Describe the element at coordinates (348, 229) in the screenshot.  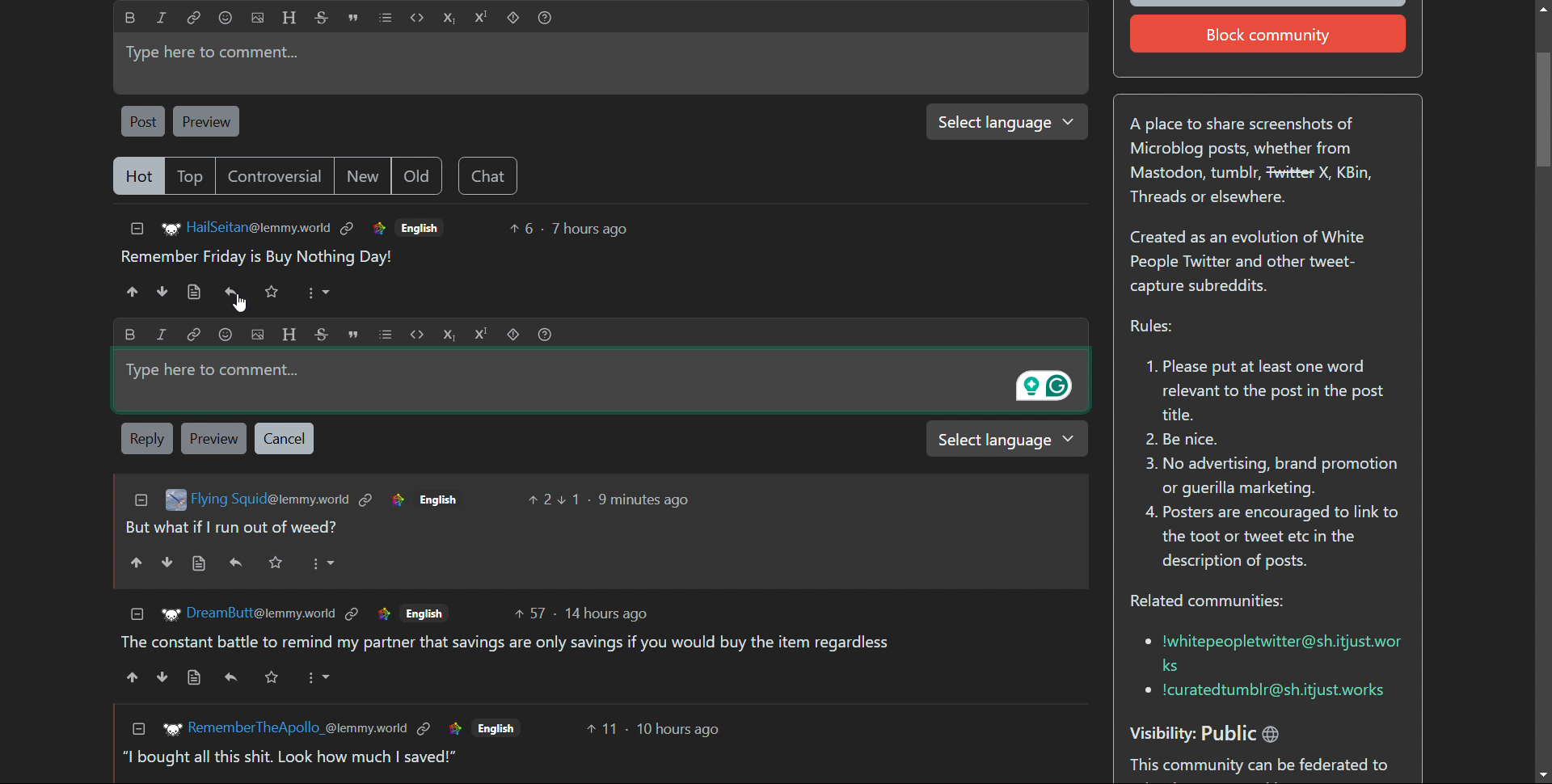
I see `link` at that location.